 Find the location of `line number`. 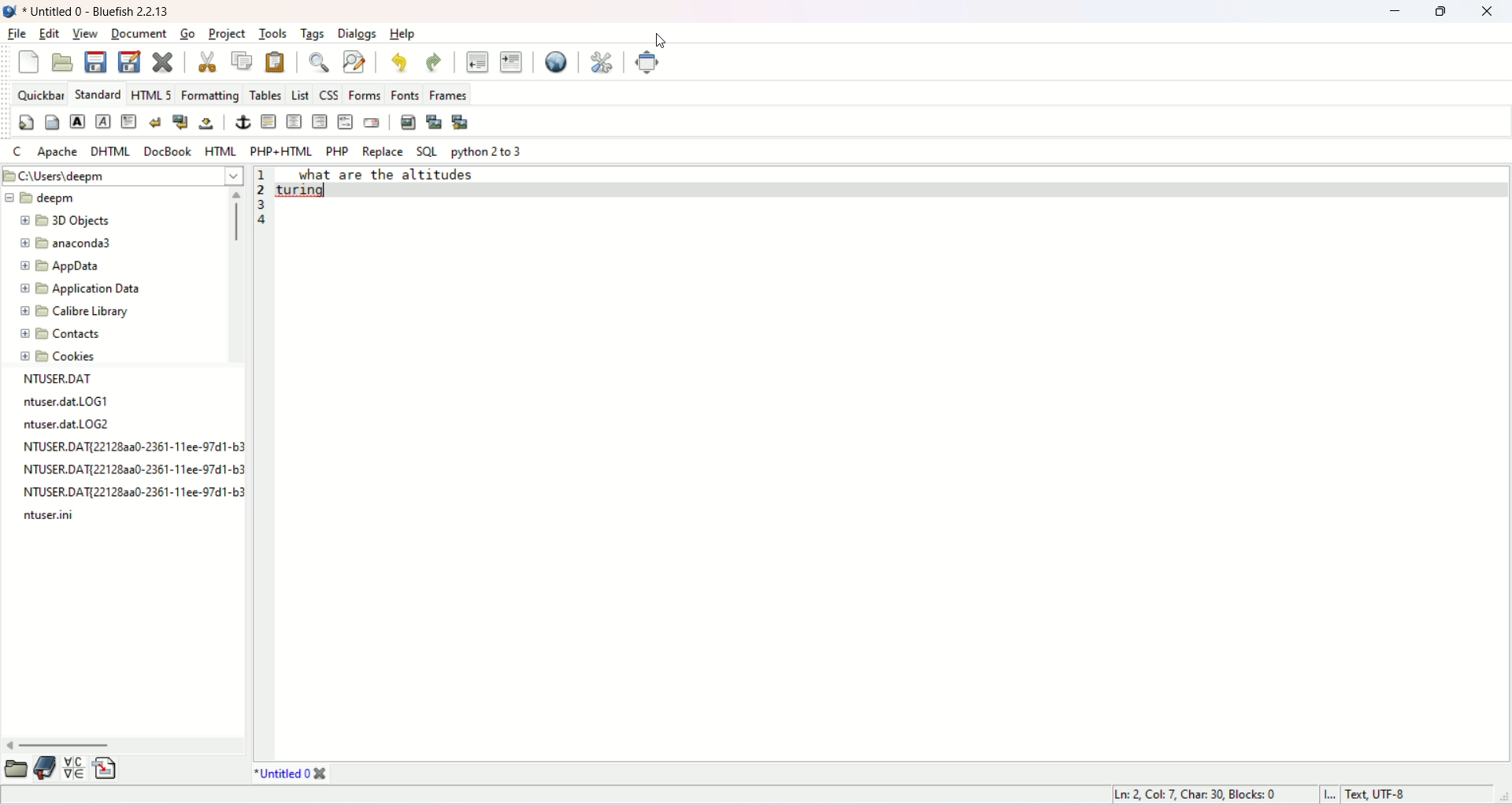

line number is located at coordinates (265, 189).